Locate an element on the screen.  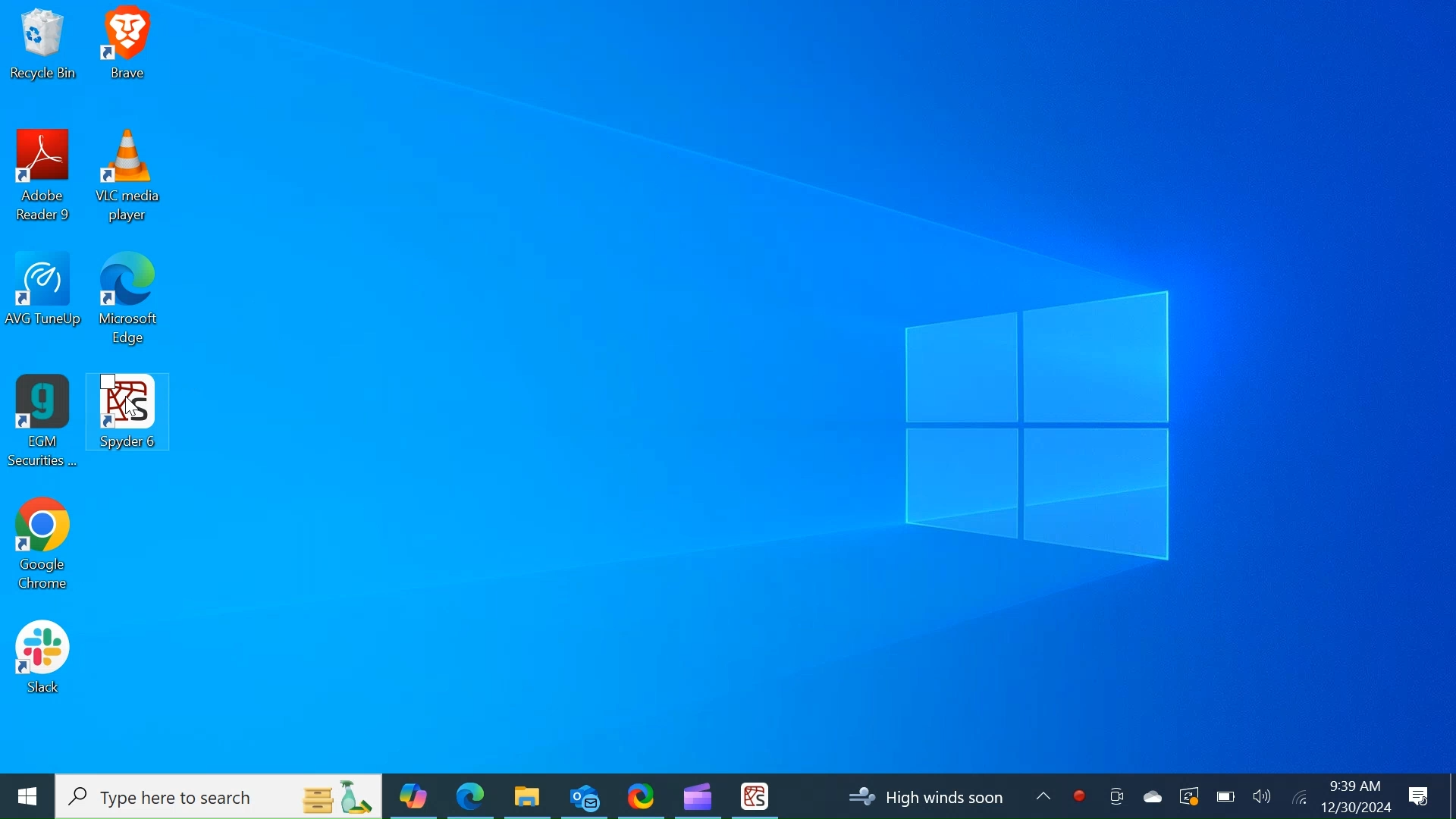
Microsoft Edge Desktop Icon is located at coordinates (130, 305).